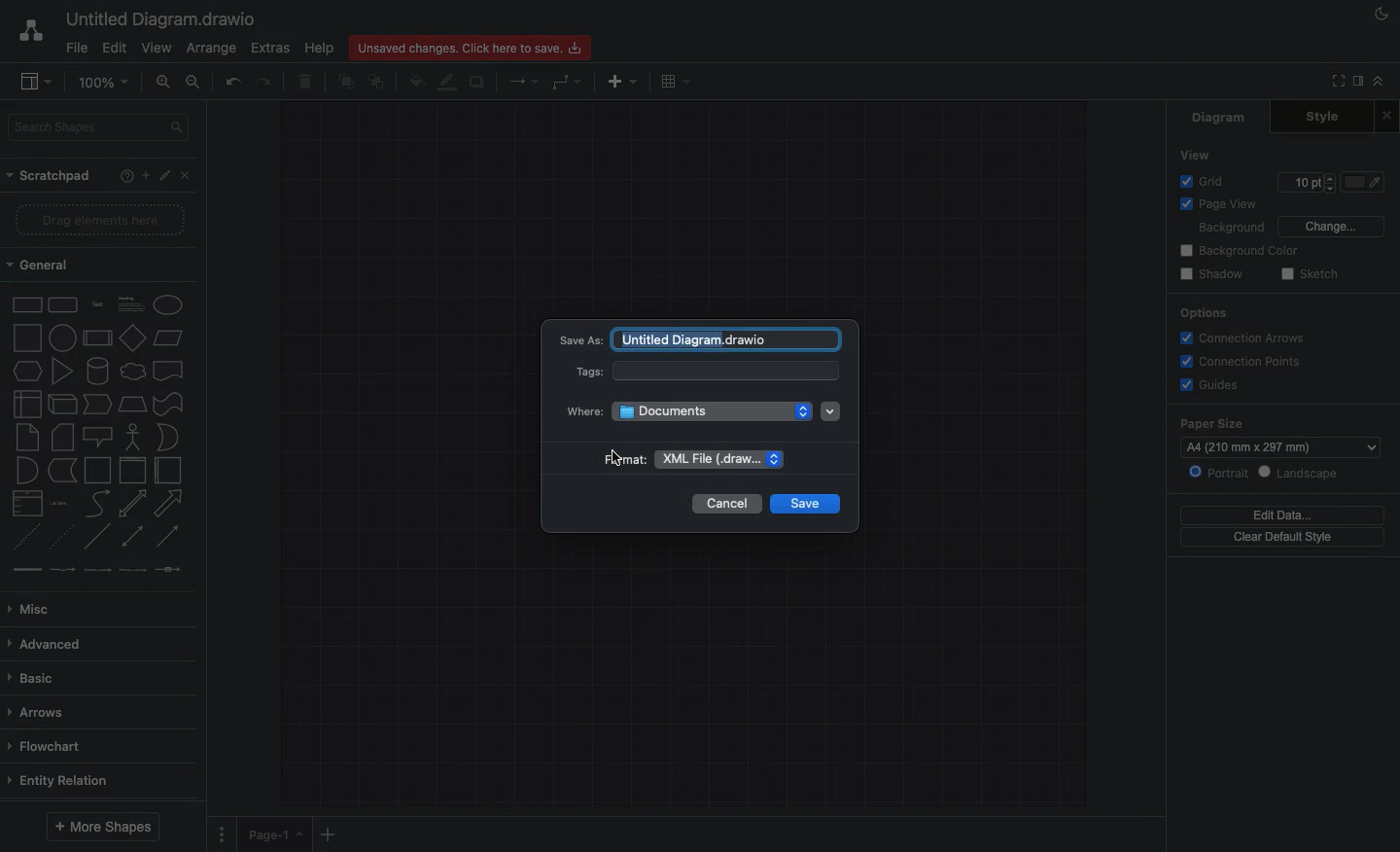  I want to click on Edit, so click(164, 175).